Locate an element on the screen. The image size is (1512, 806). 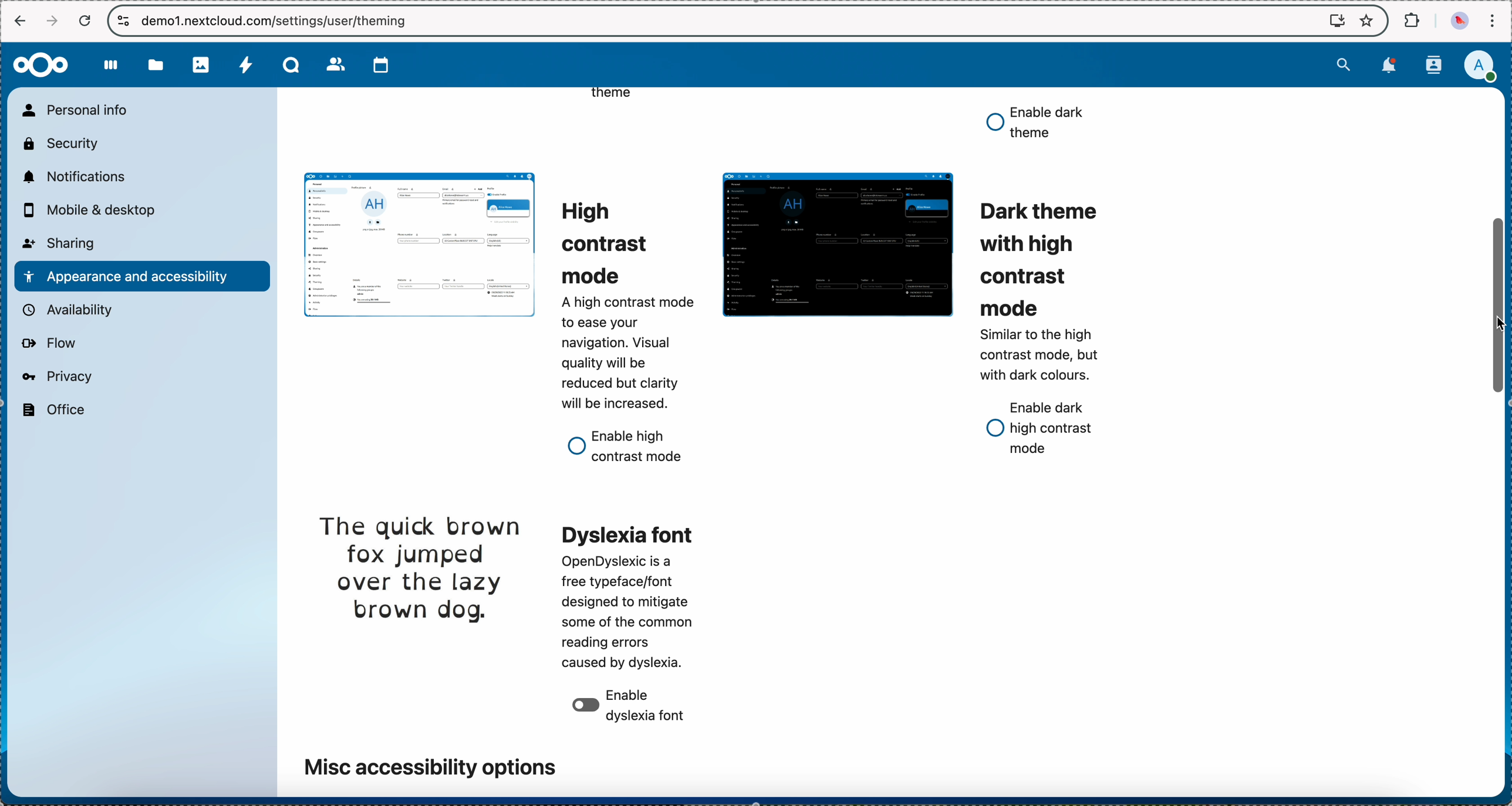
cursor is located at coordinates (1493, 317).